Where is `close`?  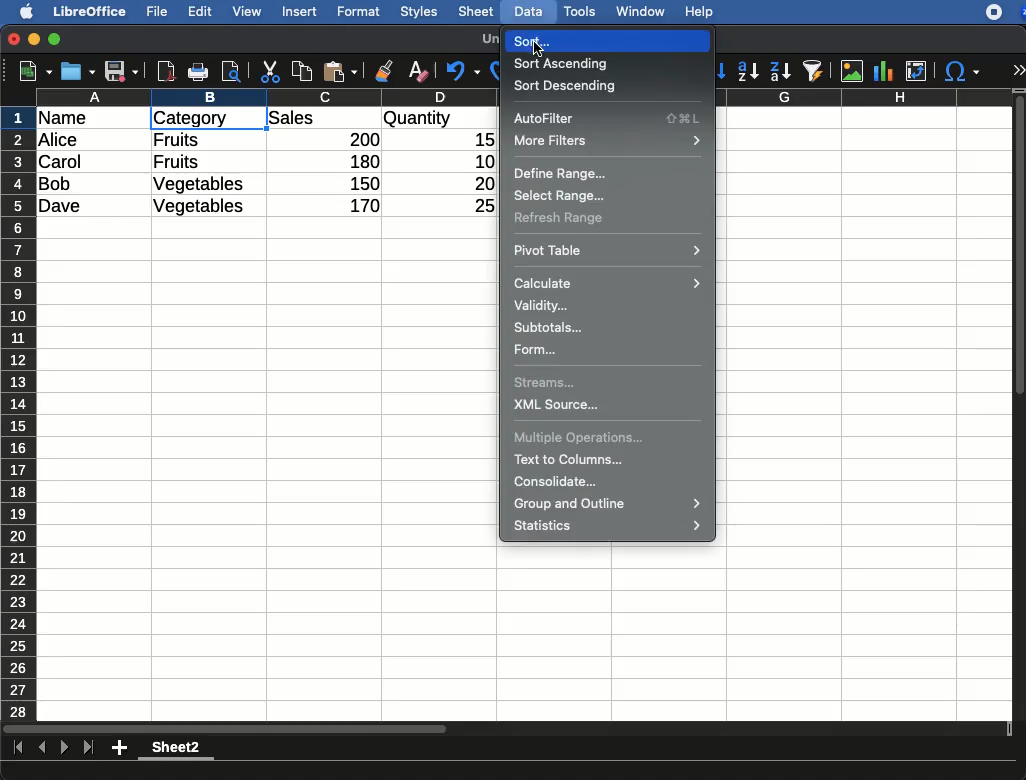 close is located at coordinates (15, 41).